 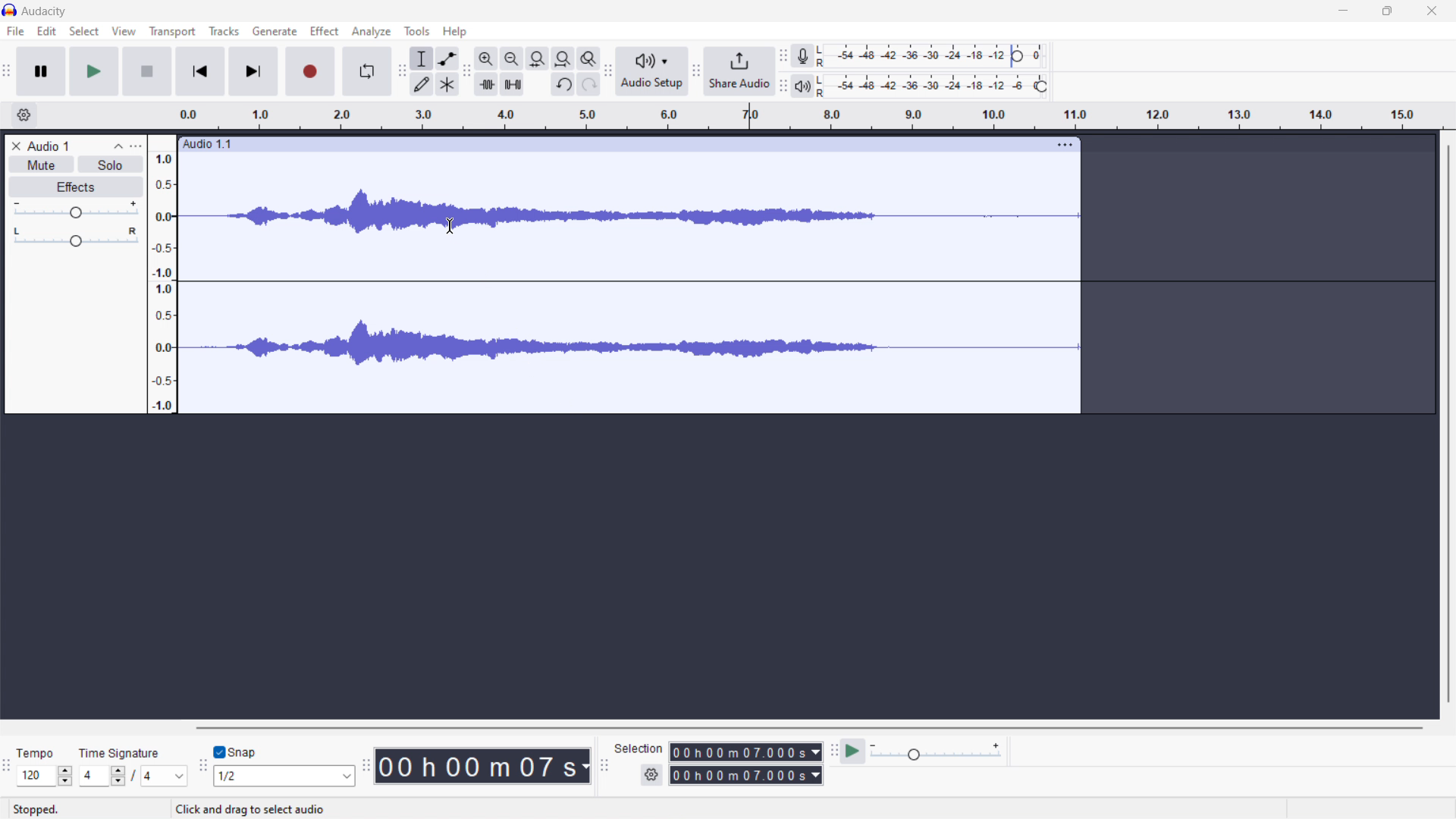 What do you see at coordinates (372, 31) in the screenshot?
I see `analyze` at bounding box center [372, 31].